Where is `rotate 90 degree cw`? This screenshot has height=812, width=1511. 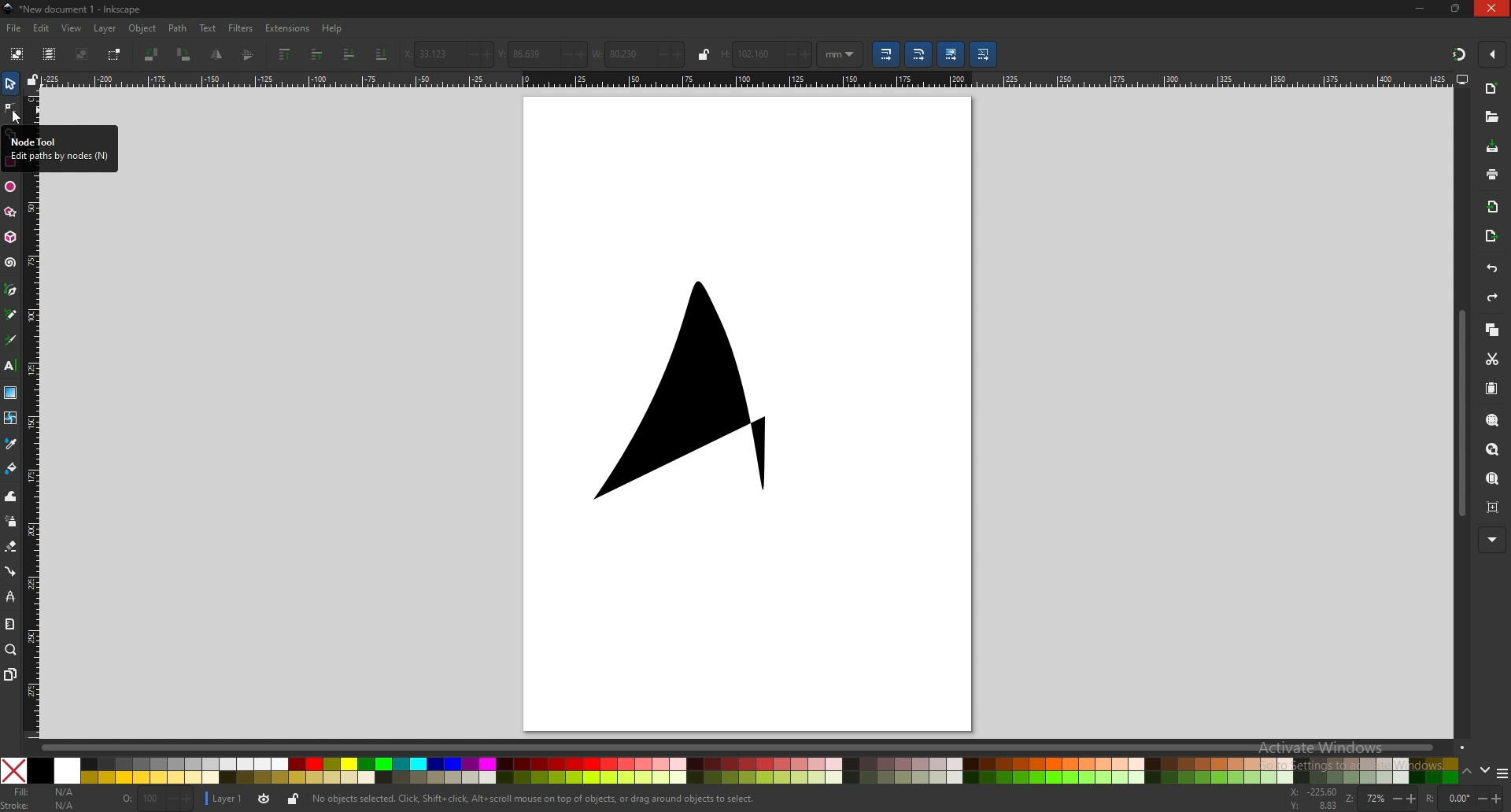
rotate 90 degree cw is located at coordinates (184, 54).